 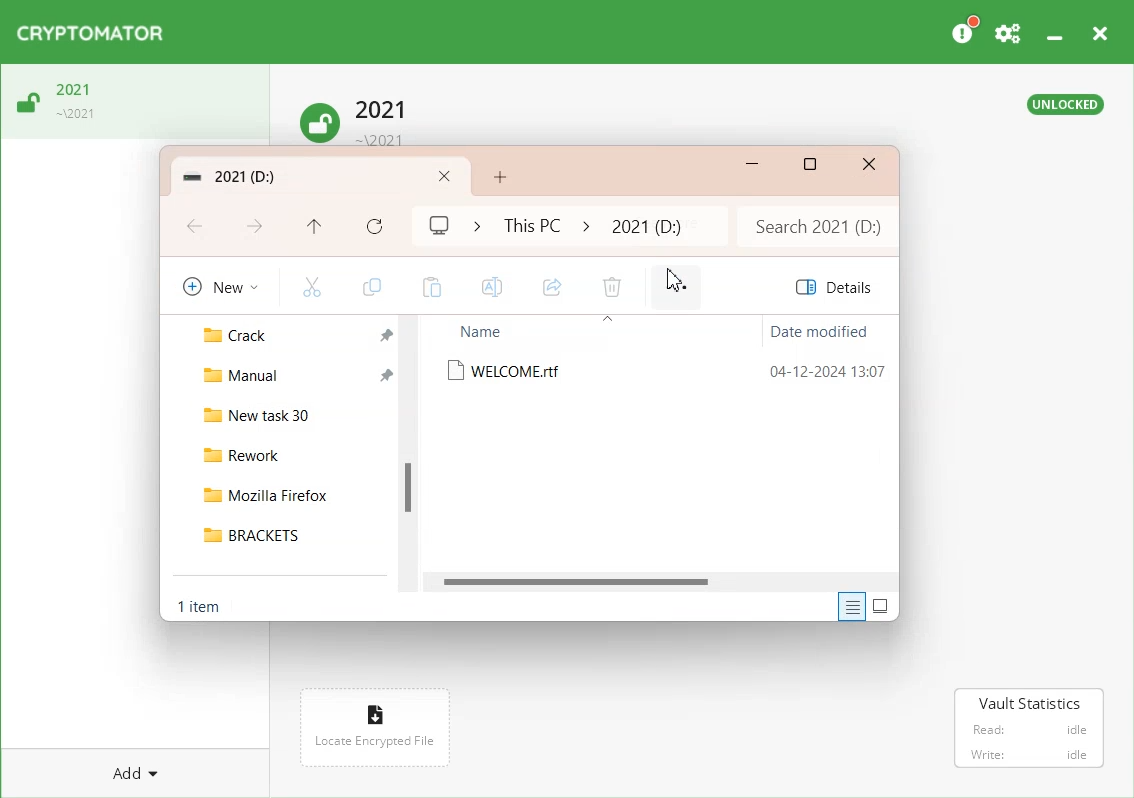 I want to click on Maximize, so click(x=808, y=164).